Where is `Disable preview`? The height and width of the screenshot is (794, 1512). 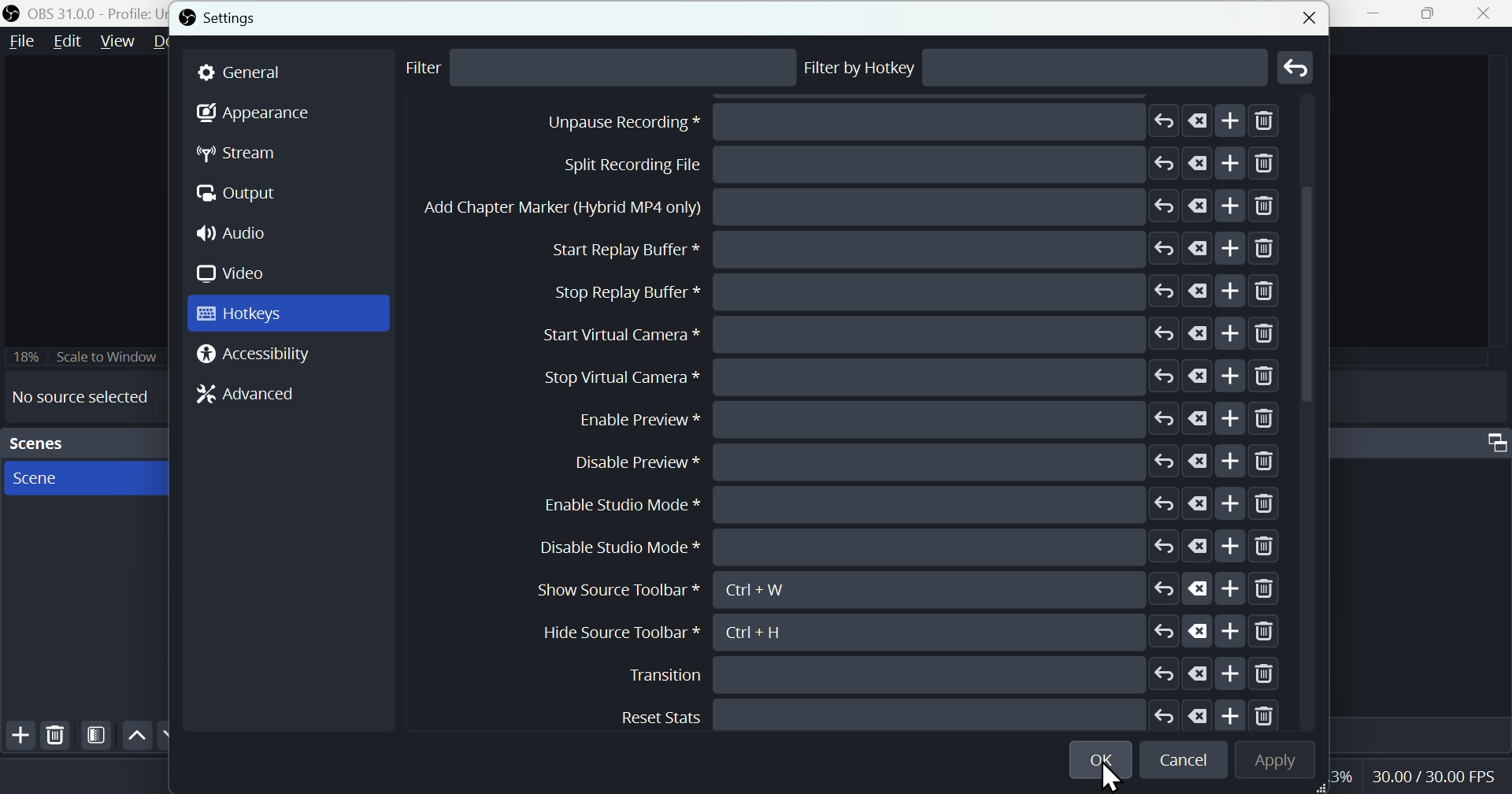
Disable preview is located at coordinates (926, 673).